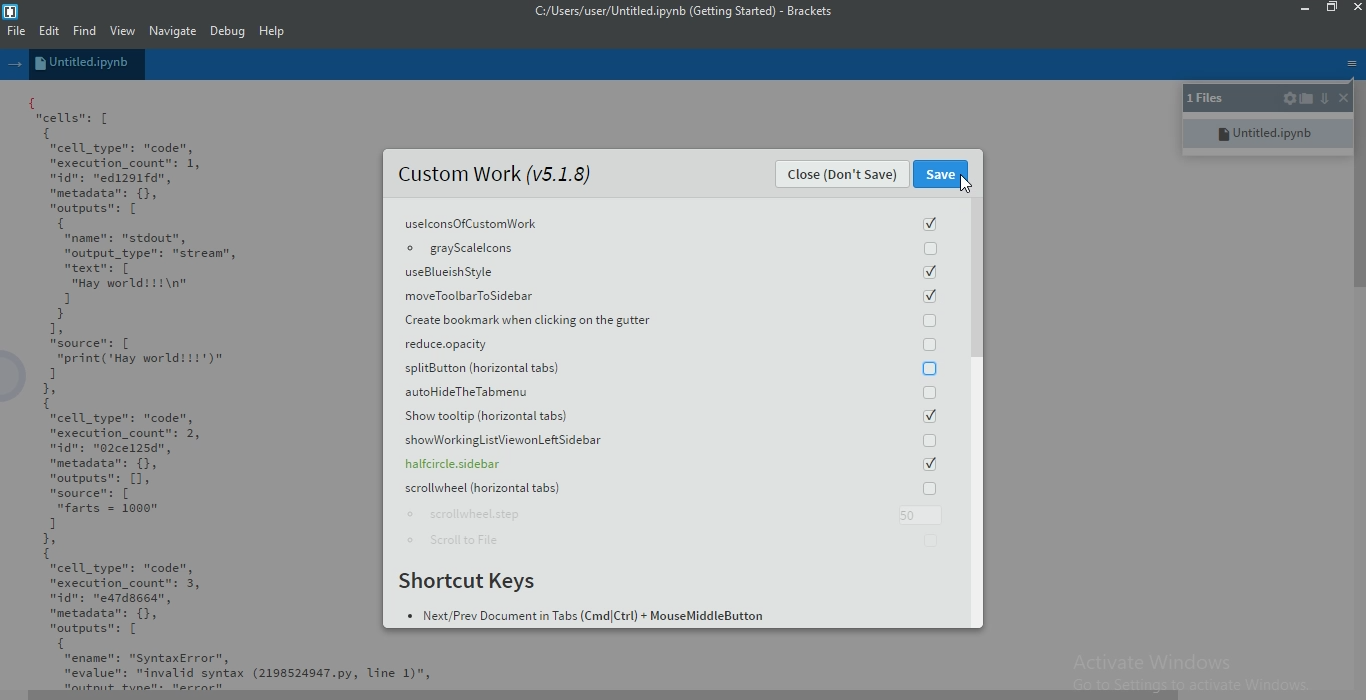 Image resolution: width=1366 pixels, height=700 pixels. I want to click on showWorkingListViewonLeft Sidebar, so click(674, 441).